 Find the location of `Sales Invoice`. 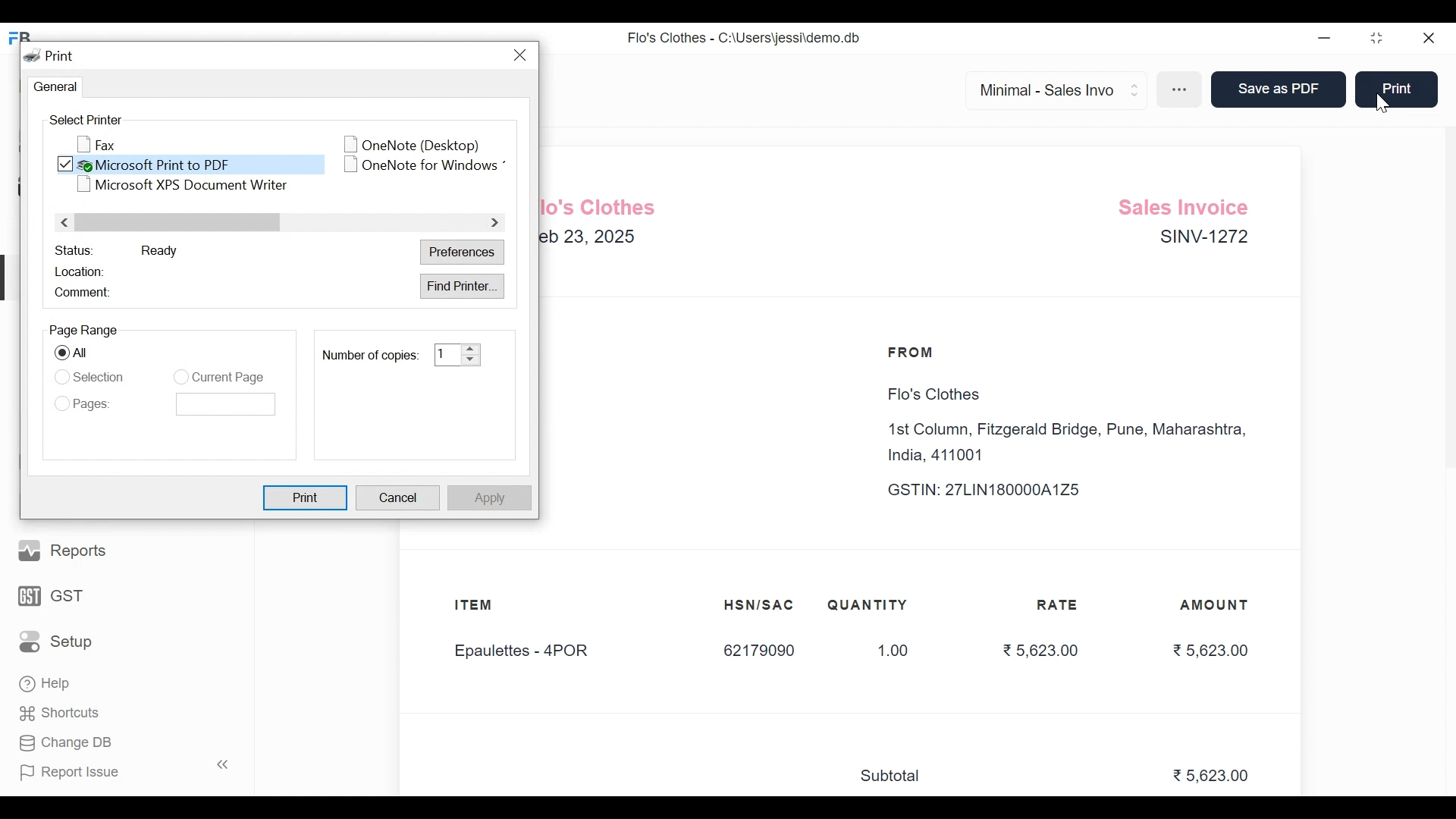

Sales Invoice is located at coordinates (1188, 205).